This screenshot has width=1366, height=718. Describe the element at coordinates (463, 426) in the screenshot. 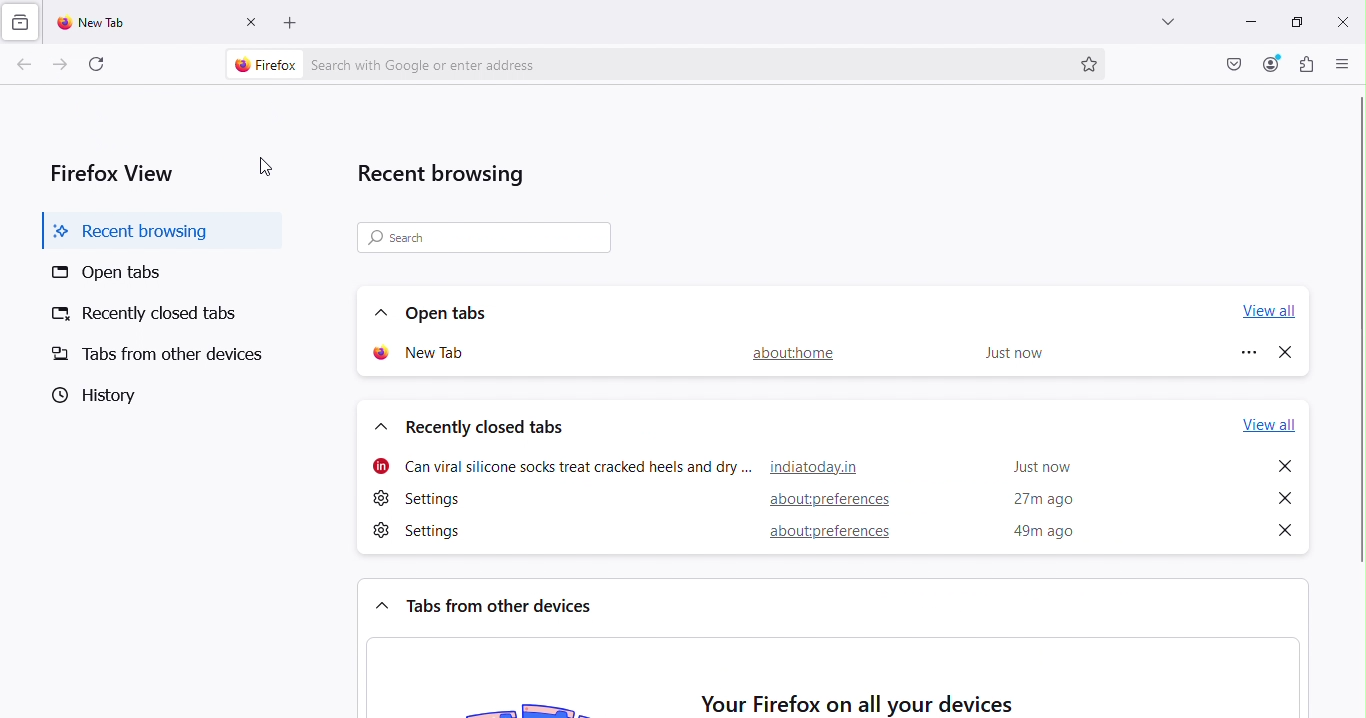

I see `Recently closed tabs` at that location.